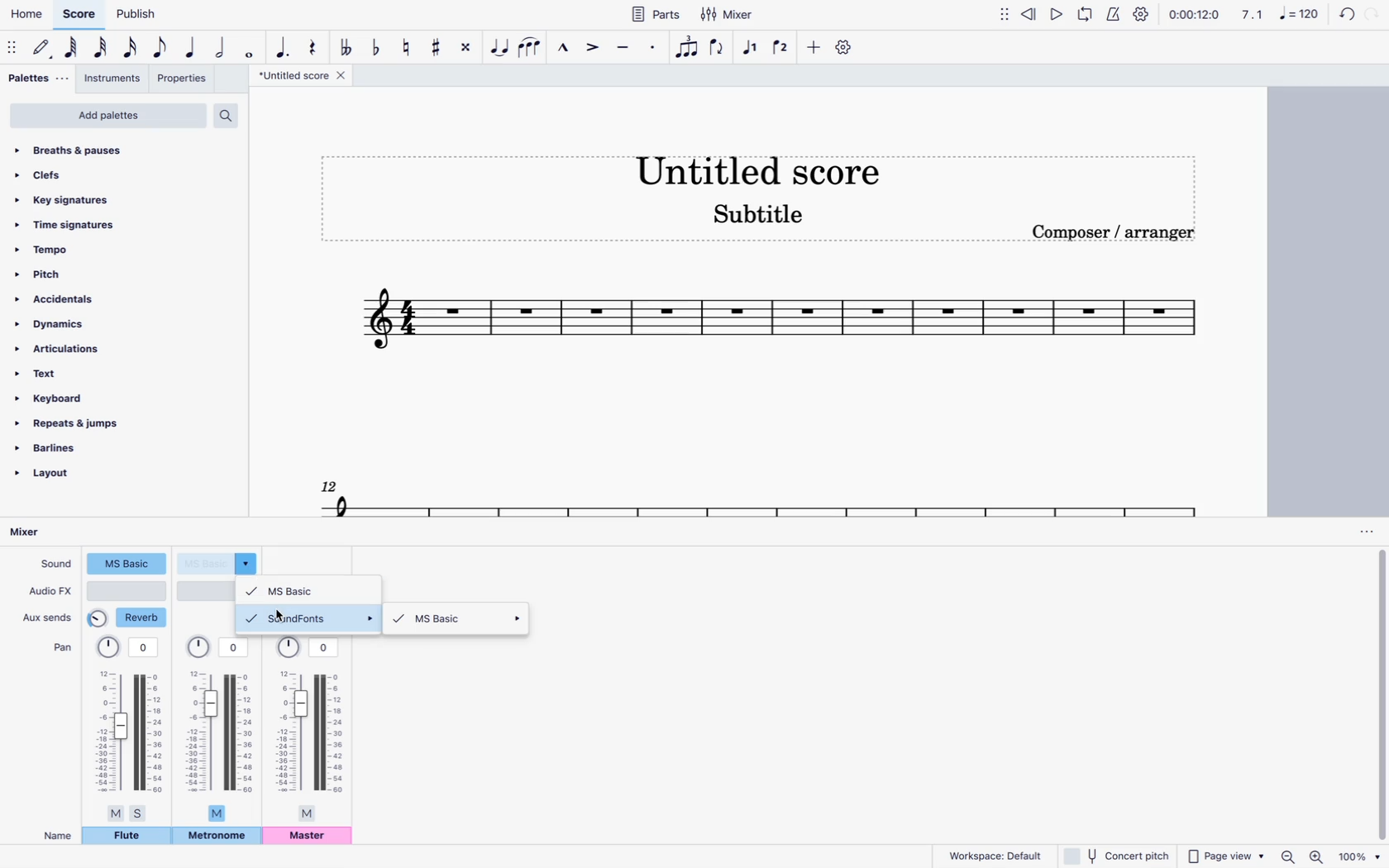  Describe the element at coordinates (50, 593) in the screenshot. I see `audio fx` at that location.